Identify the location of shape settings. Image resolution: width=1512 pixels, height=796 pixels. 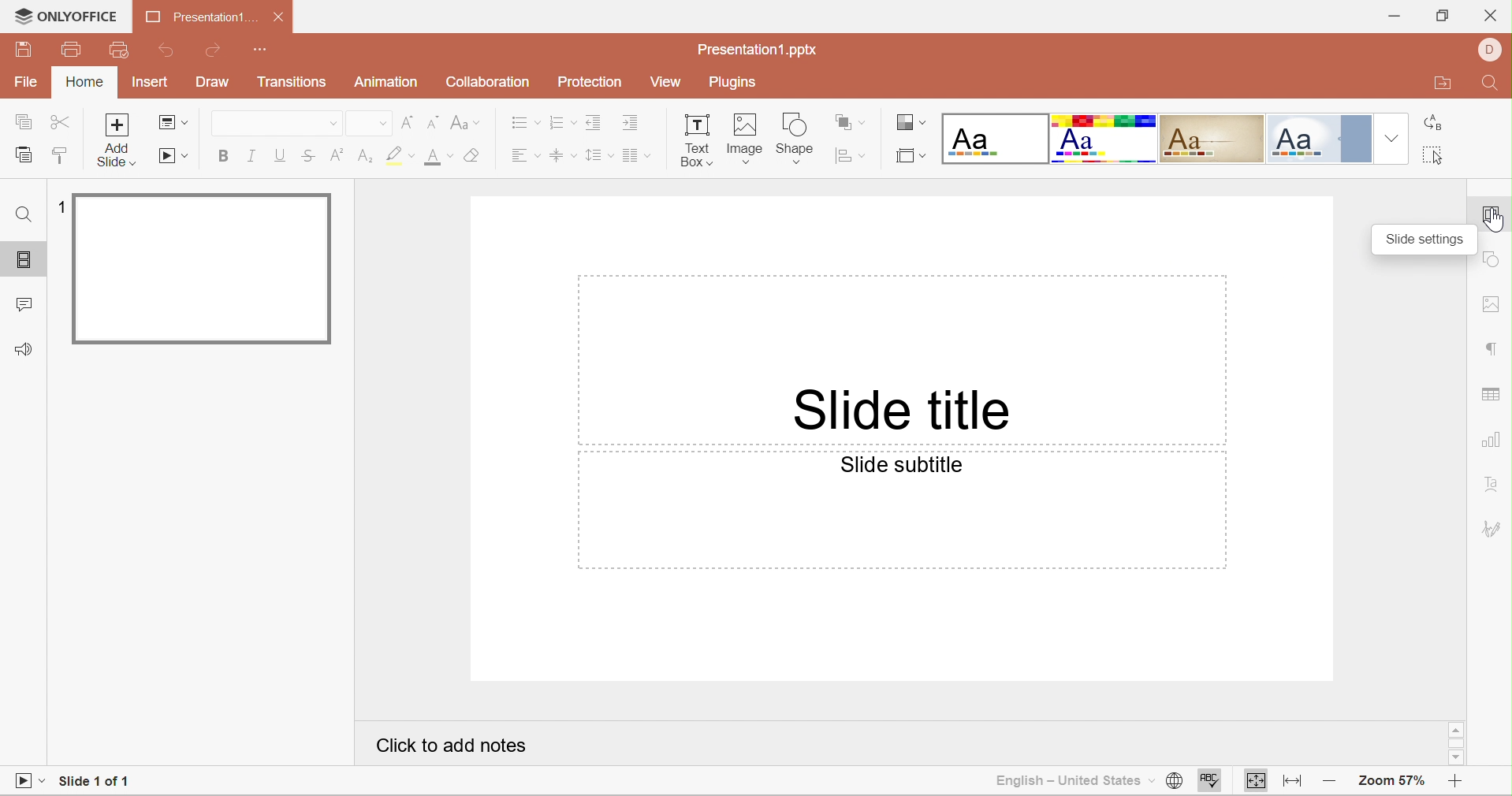
(1495, 262).